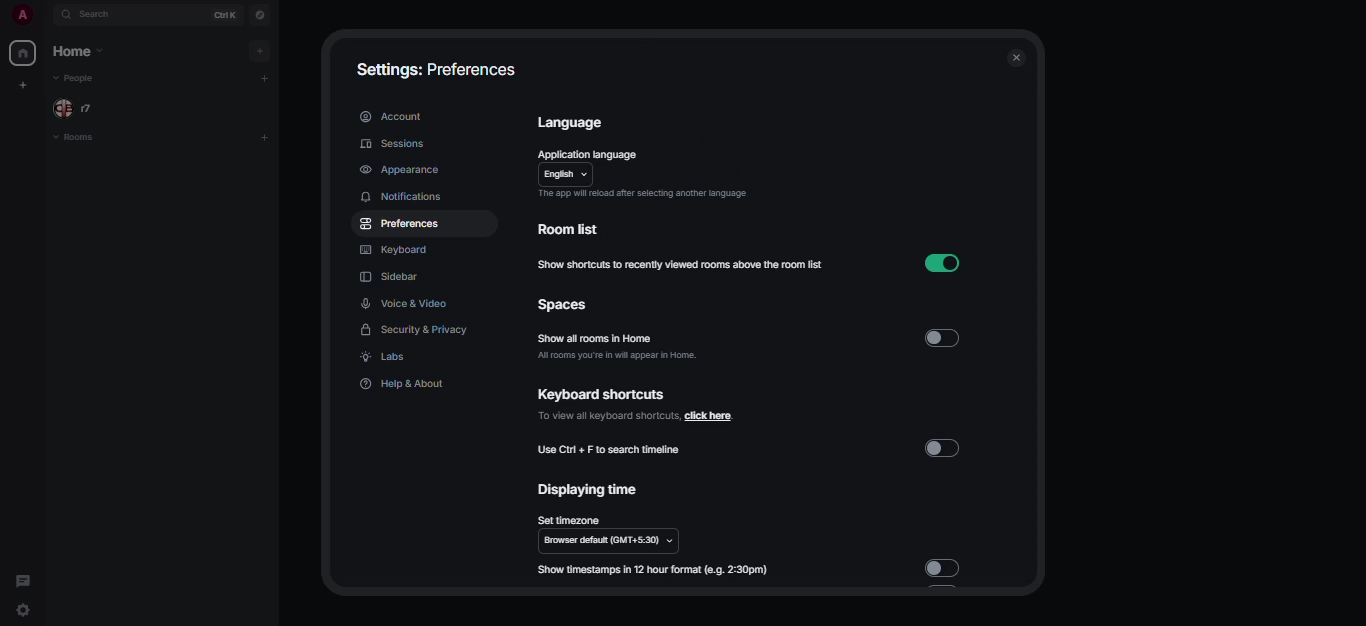  Describe the element at coordinates (599, 339) in the screenshot. I see `show all rooms in home` at that location.